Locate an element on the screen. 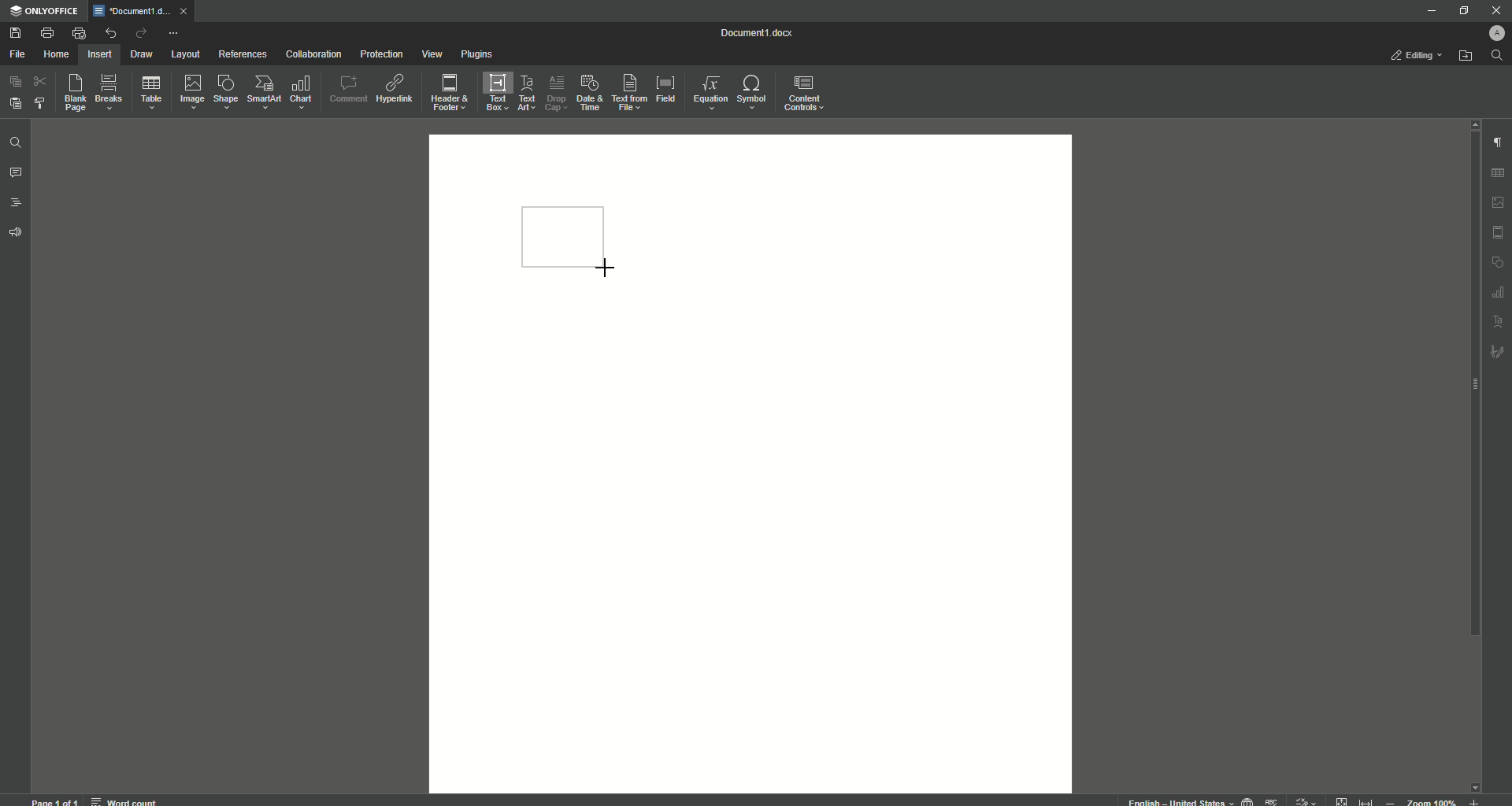 The width and height of the screenshot is (1512, 806). Save is located at coordinates (17, 34).